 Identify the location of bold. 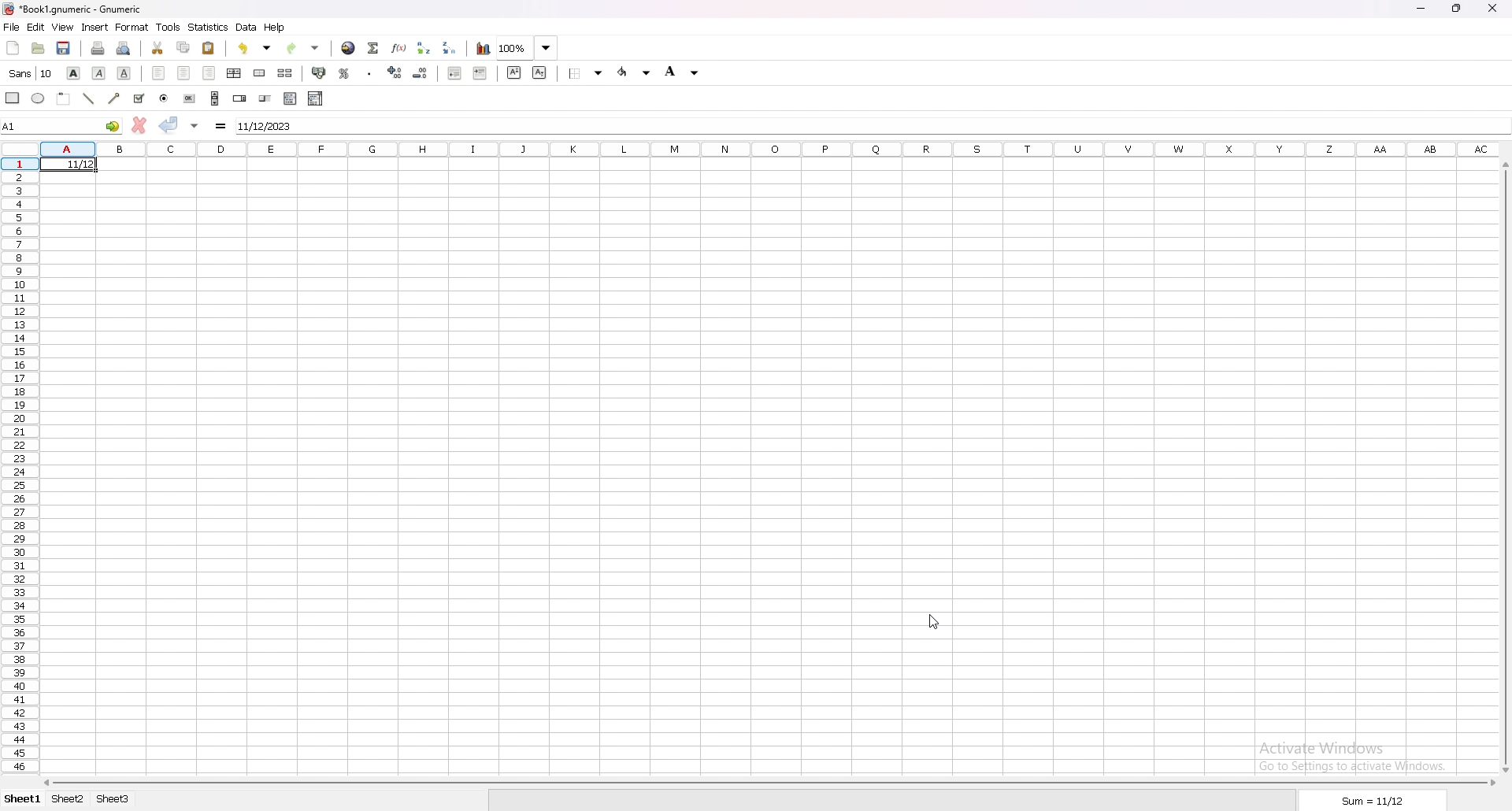
(74, 72).